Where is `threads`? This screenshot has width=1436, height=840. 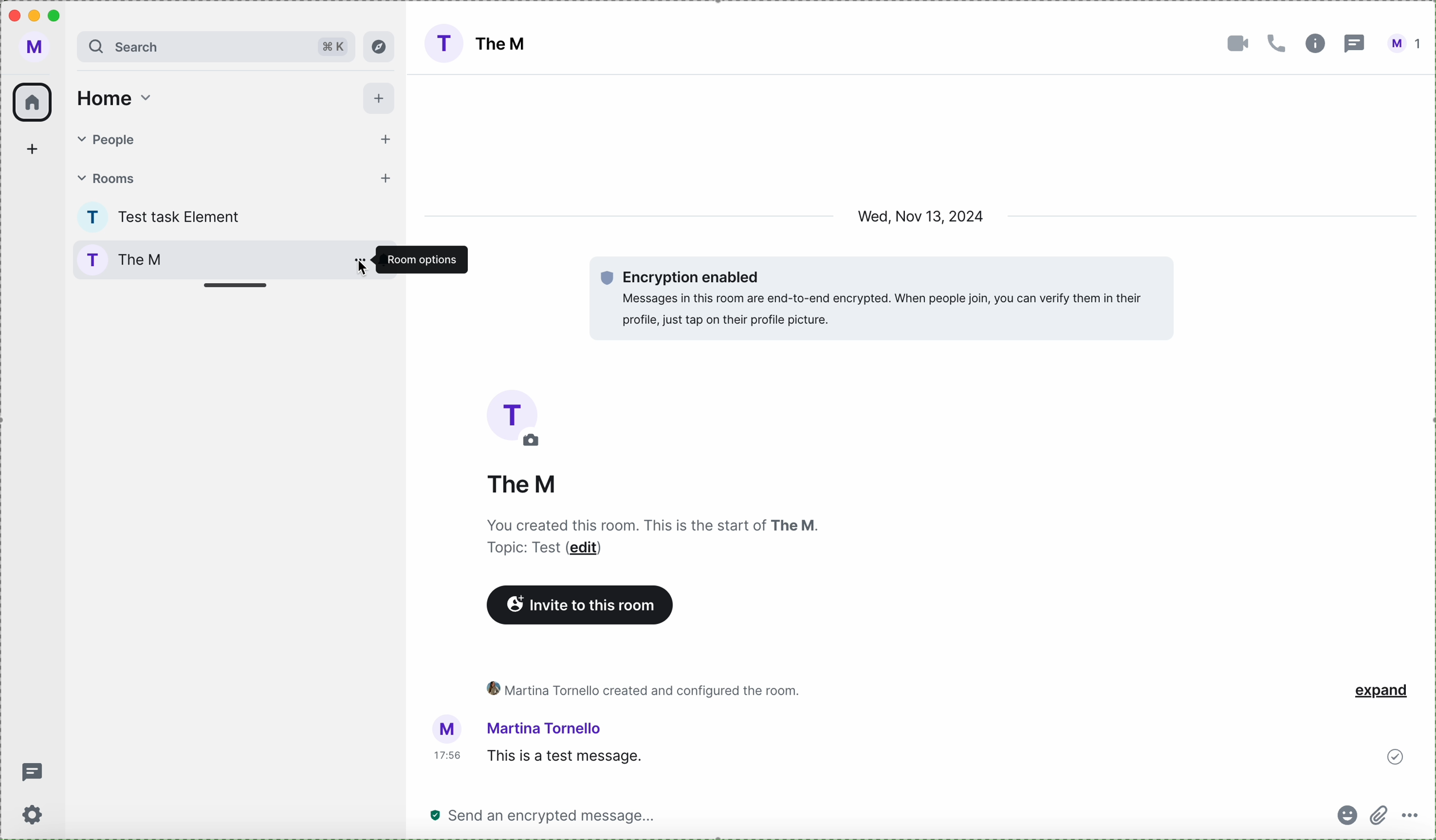
threads is located at coordinates (31, 772).